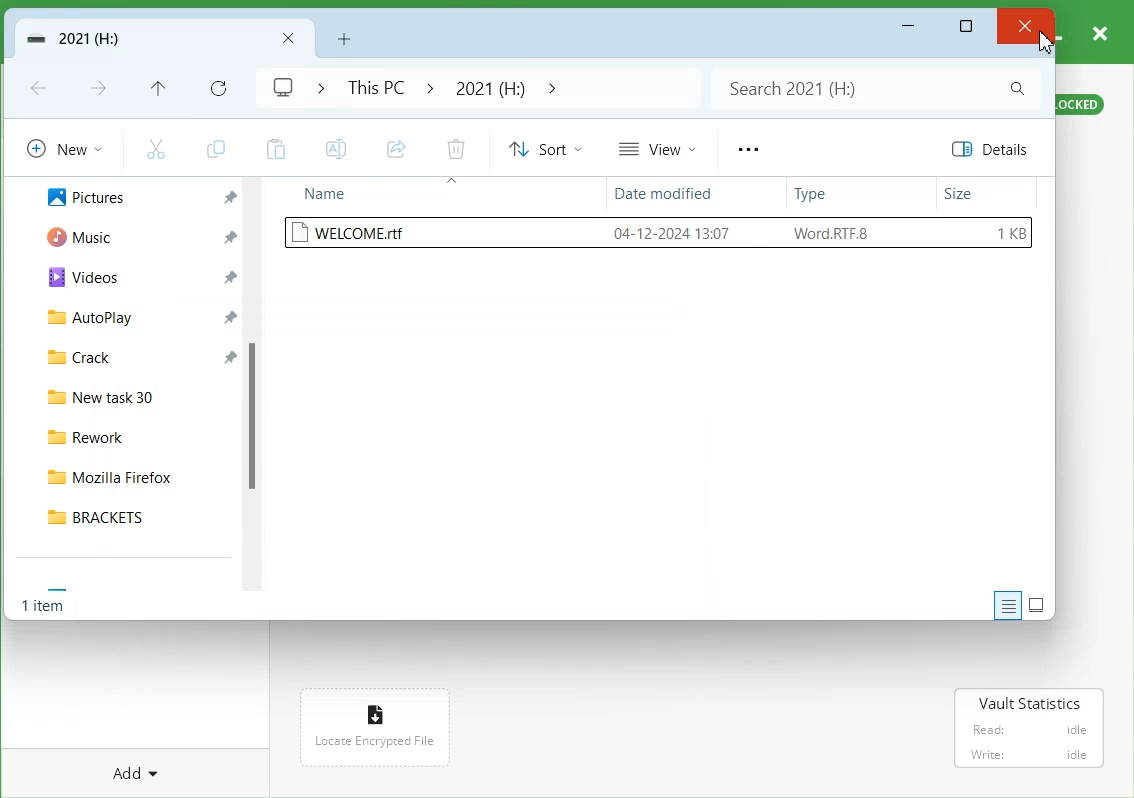  What do you see at coordinates (77, 358) in the screenshot?
I see `Crack` at bounding box center [77, 358].